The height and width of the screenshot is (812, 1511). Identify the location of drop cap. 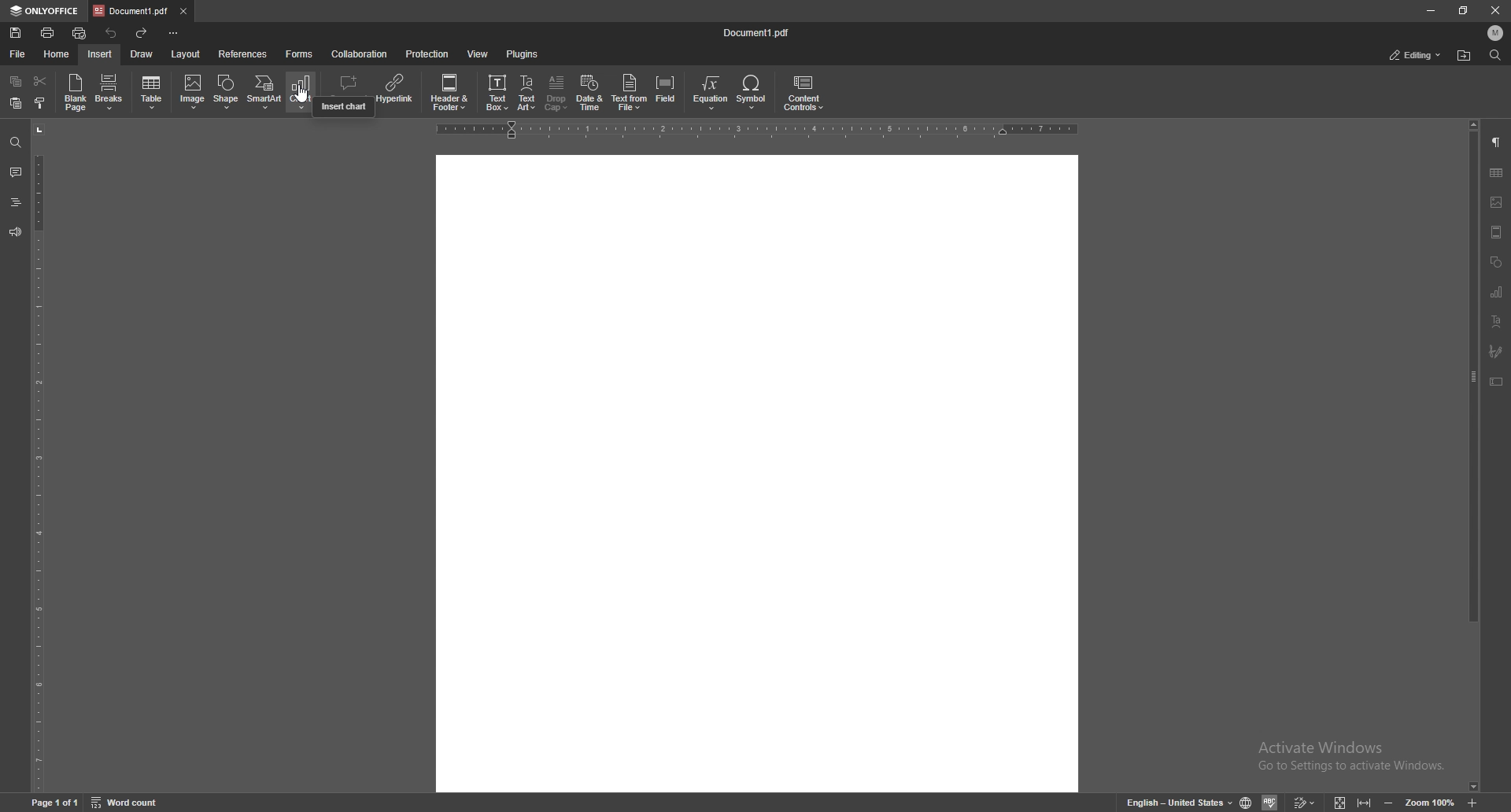
(556, 94).